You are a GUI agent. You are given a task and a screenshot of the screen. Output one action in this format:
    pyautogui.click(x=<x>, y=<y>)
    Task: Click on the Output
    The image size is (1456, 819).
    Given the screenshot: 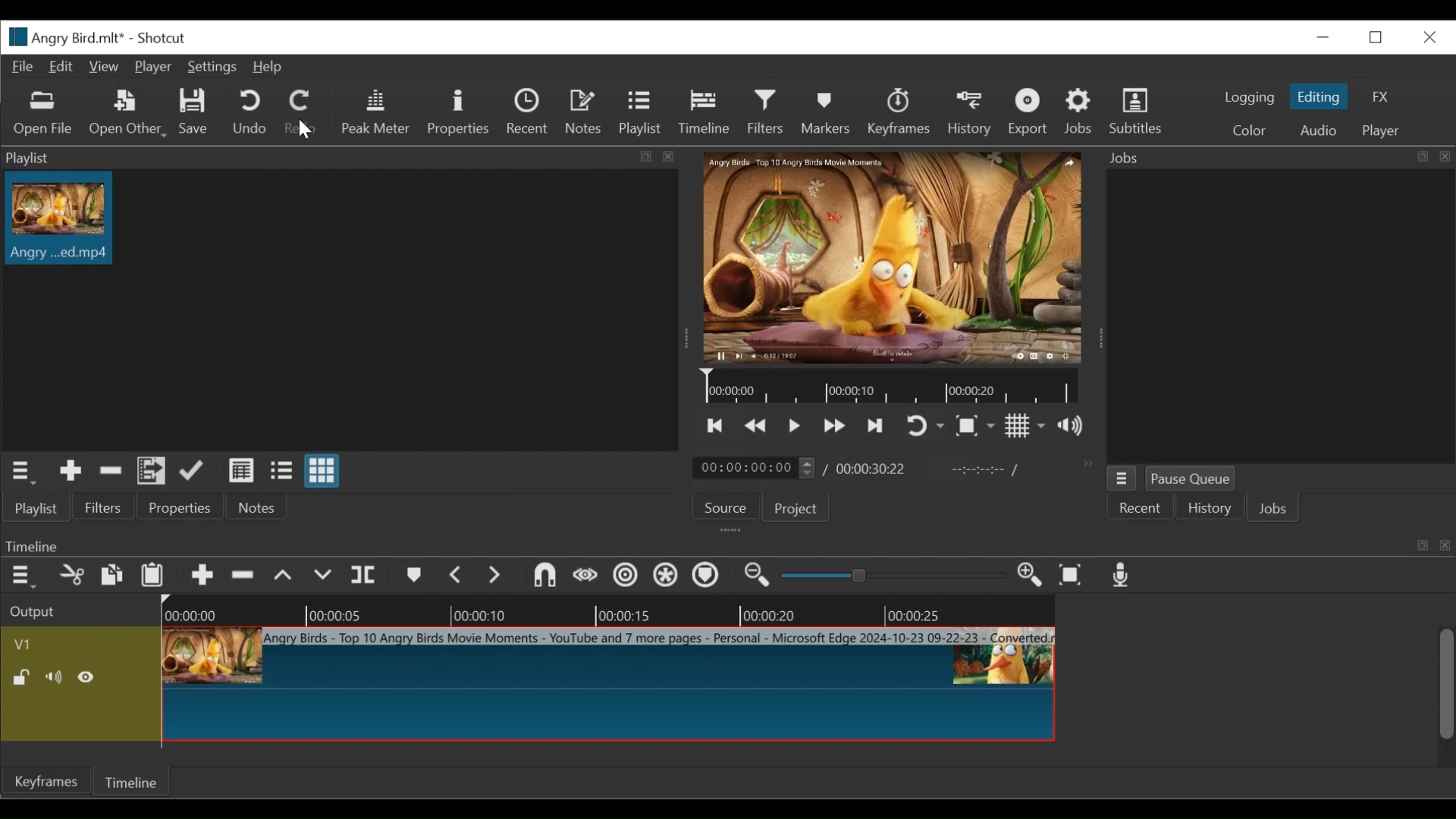 What is the action you would take?
    pyautogui.click(x=36, y=612)
    